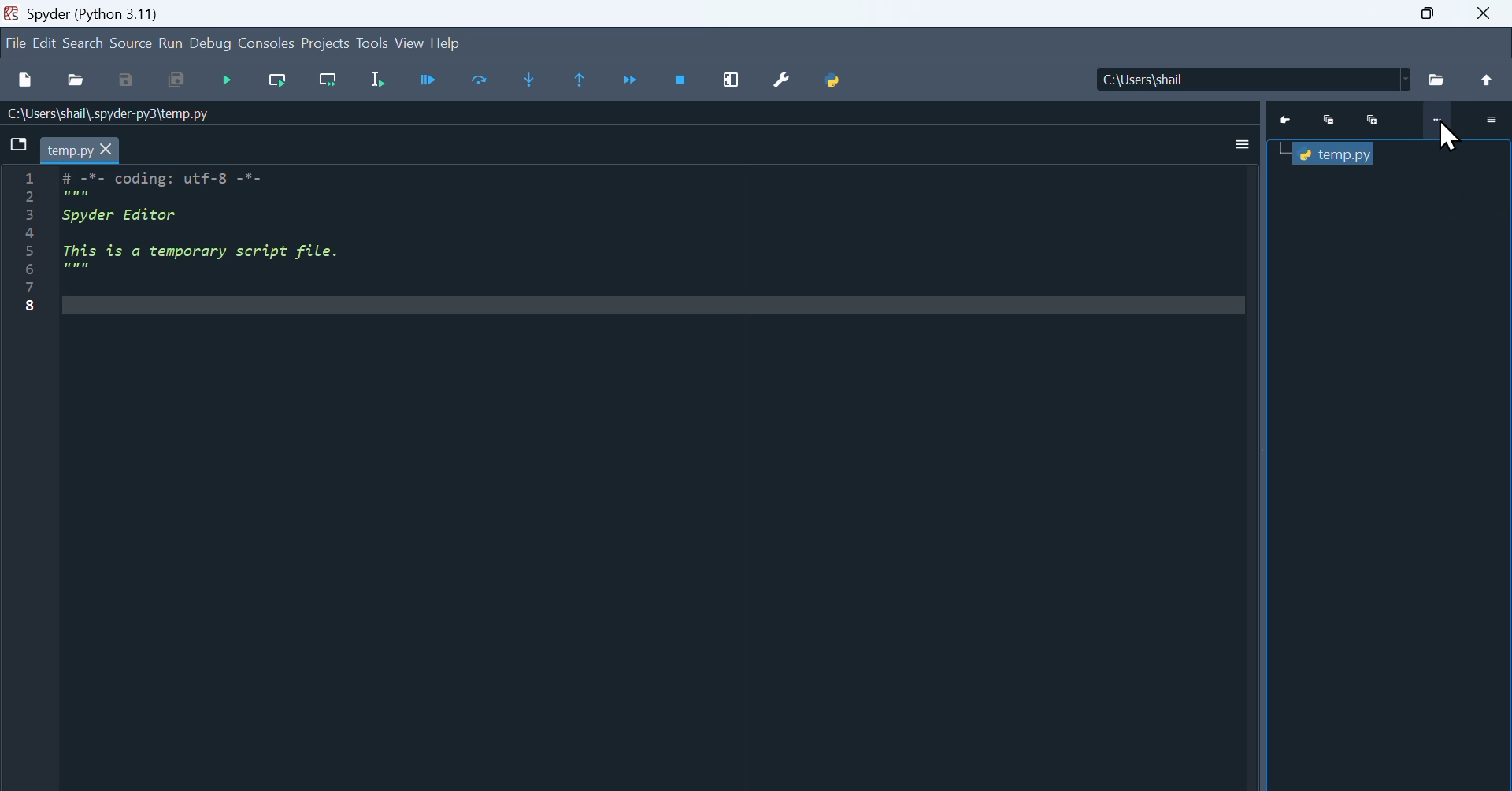 The height and width of the screenshot is (791, 1512). What do you see at coordinates (328, 81) in the screenshot?
I see `Run current cell go to next one` at bounding box center [328, 81].